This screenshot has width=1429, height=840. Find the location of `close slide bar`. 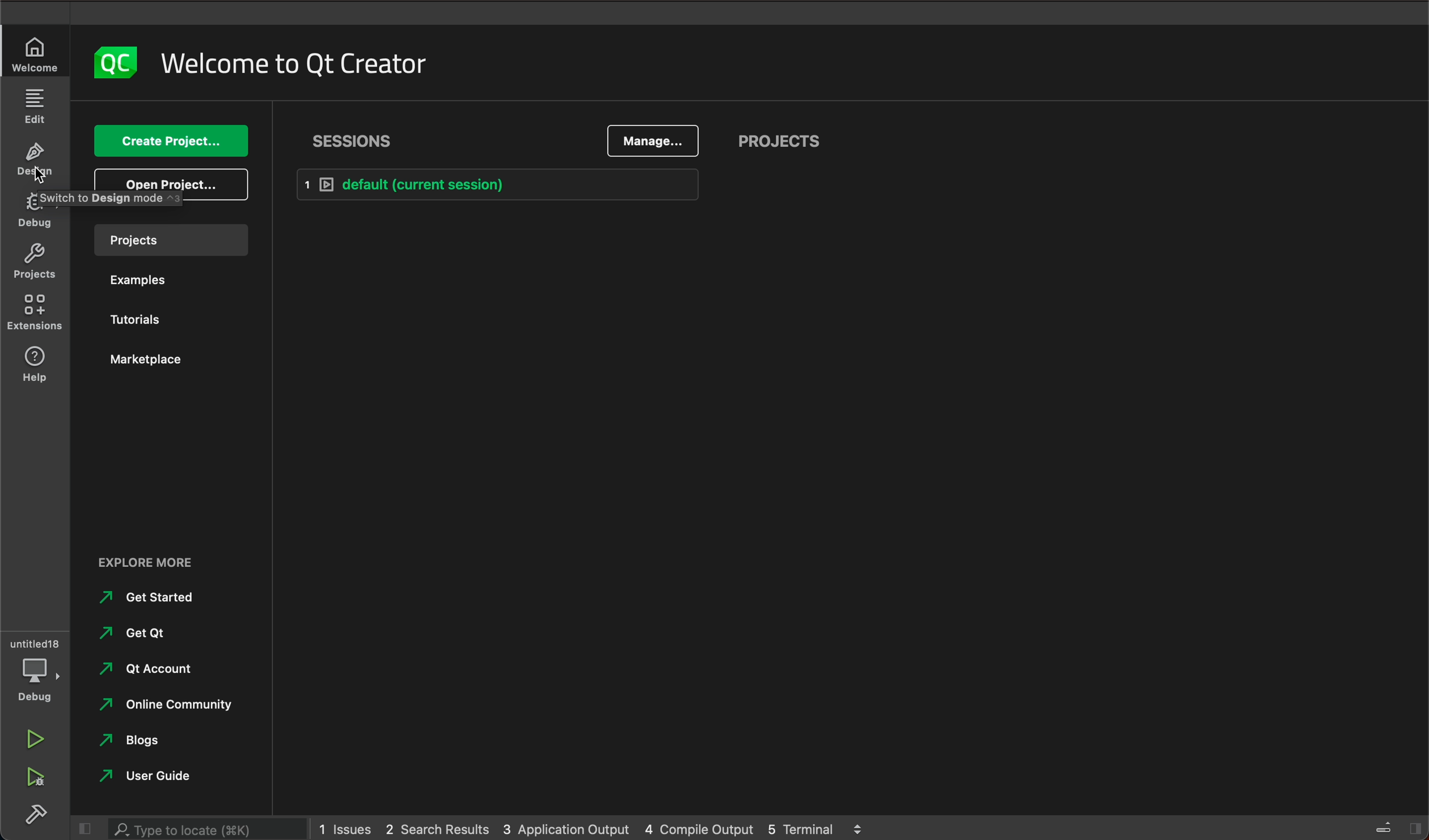

close slide bar is located at coordinates (84, 826).